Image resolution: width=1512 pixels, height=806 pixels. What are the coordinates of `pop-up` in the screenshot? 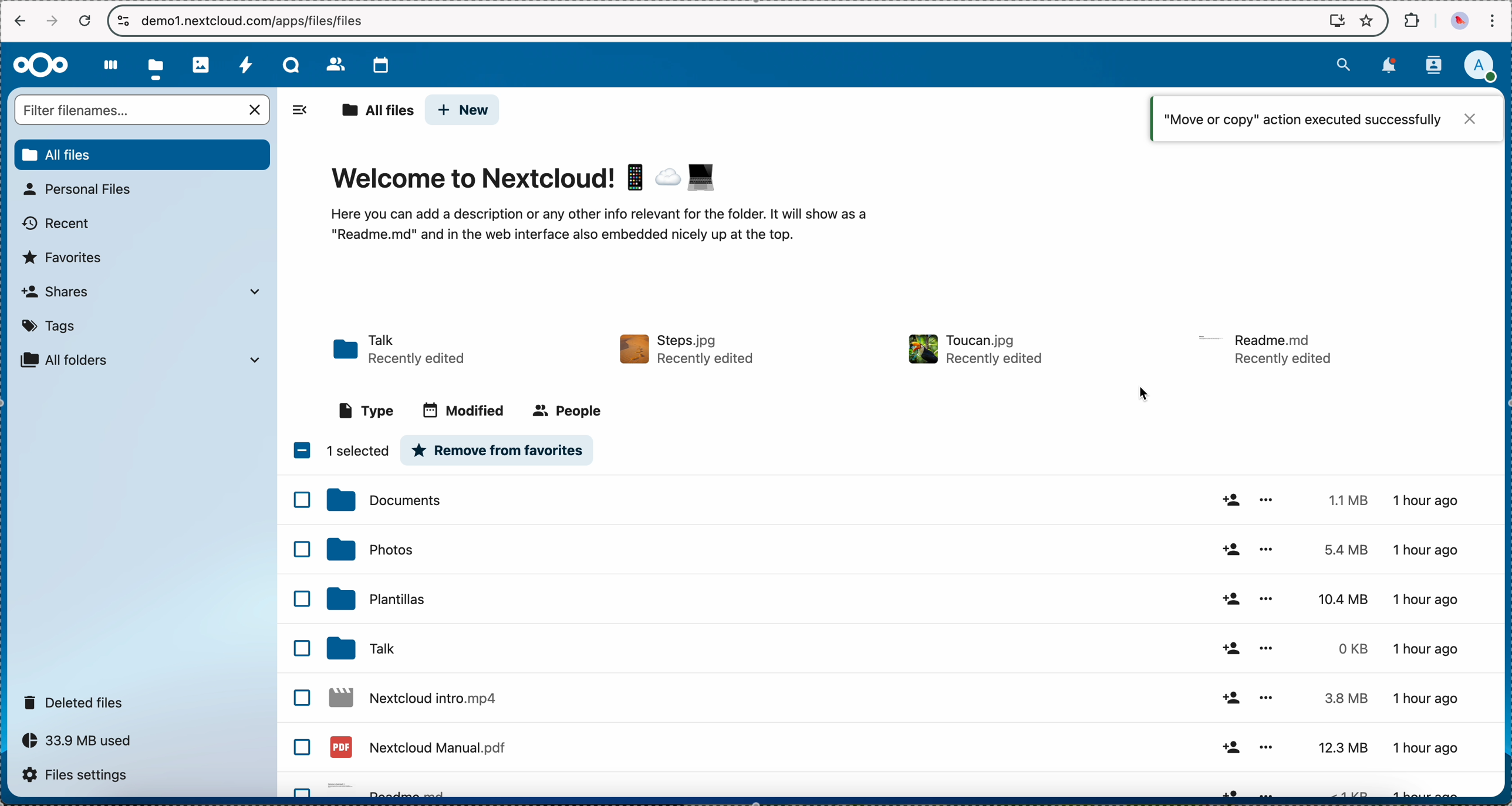 It's located at (1325, 118).